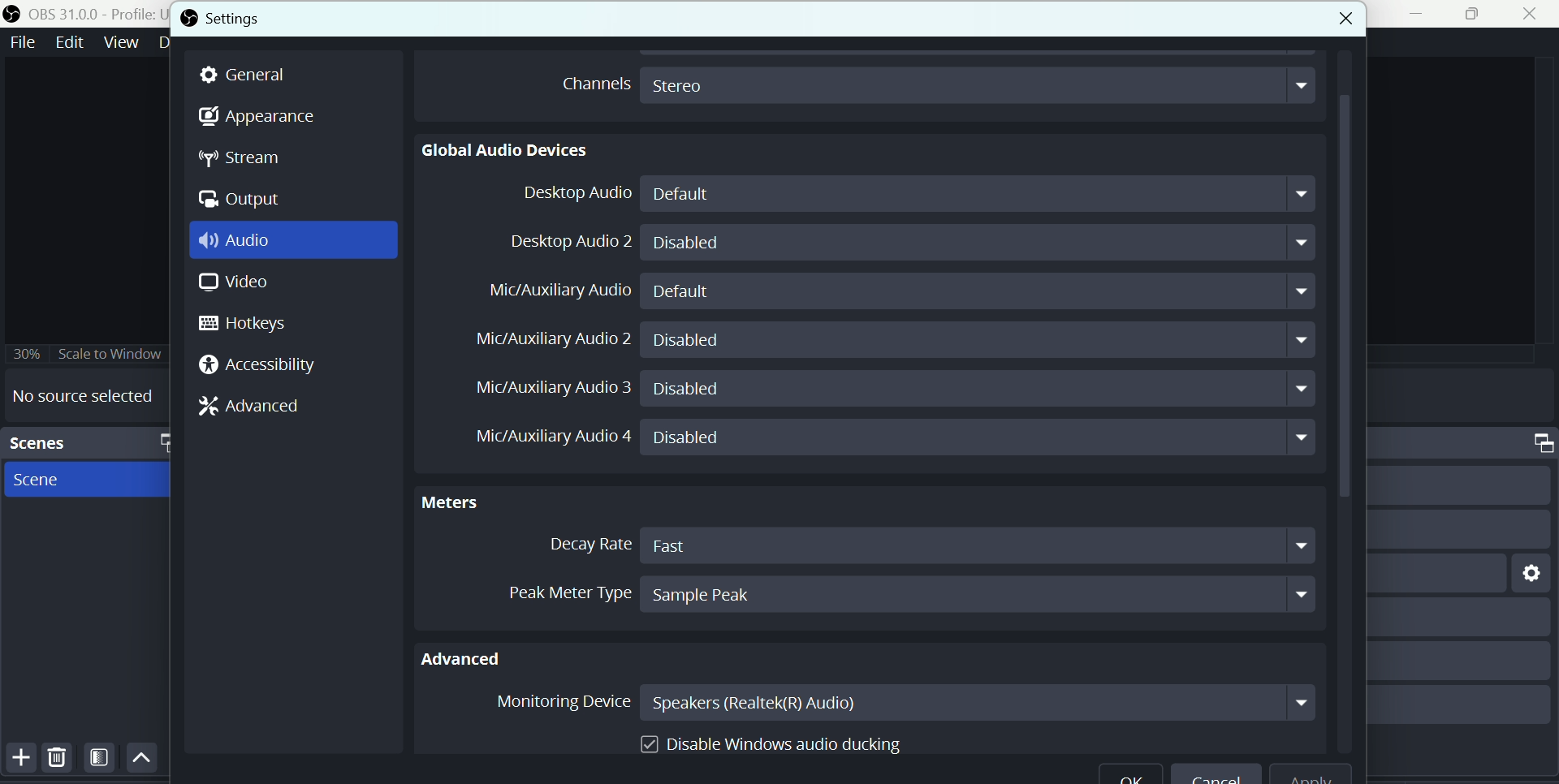 The width and height of the screenshot is (1559, 784). What do you see at coordinates (551, 590) in the screenshot?
I see `Peak meter Type` at bounding box center [551, 590].